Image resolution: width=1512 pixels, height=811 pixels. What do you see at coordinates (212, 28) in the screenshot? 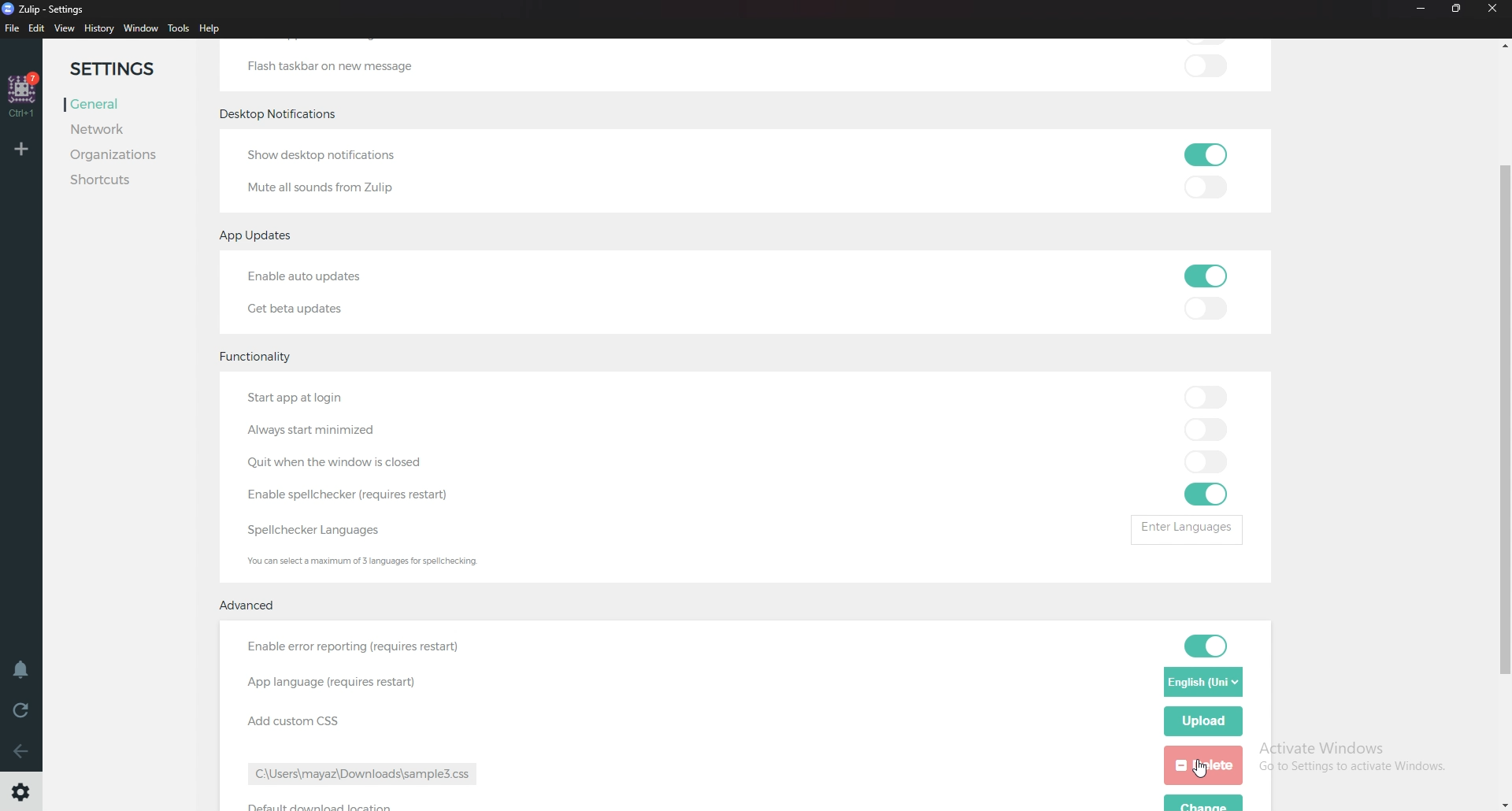
I see `Help` at bounding box center [212, 28].